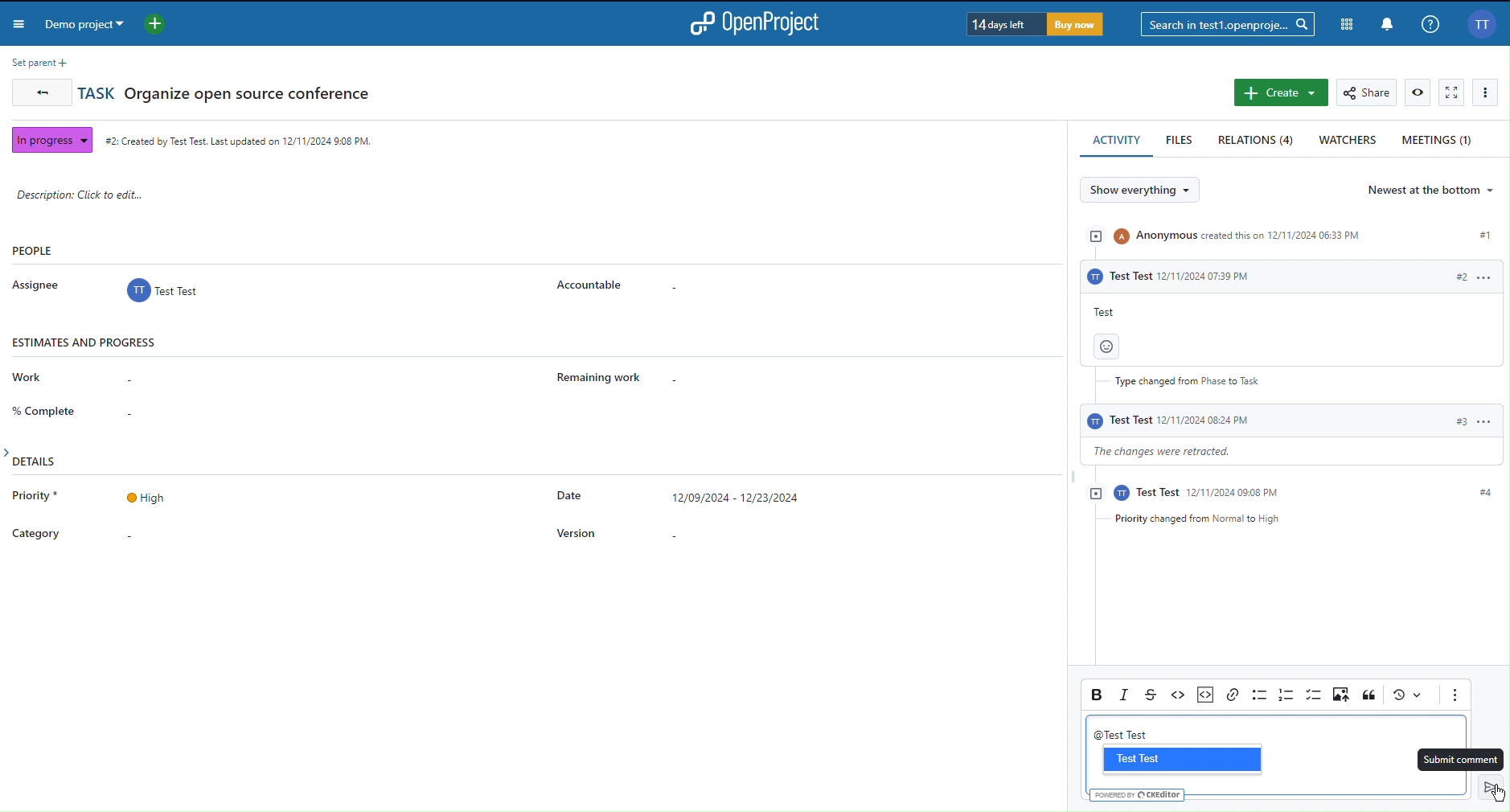 Image resolution: width=1510 pixels, height=812 pixels. Describe the element at coordinates (761, 23) in the screenshot. I see `OpenProject` at that location.